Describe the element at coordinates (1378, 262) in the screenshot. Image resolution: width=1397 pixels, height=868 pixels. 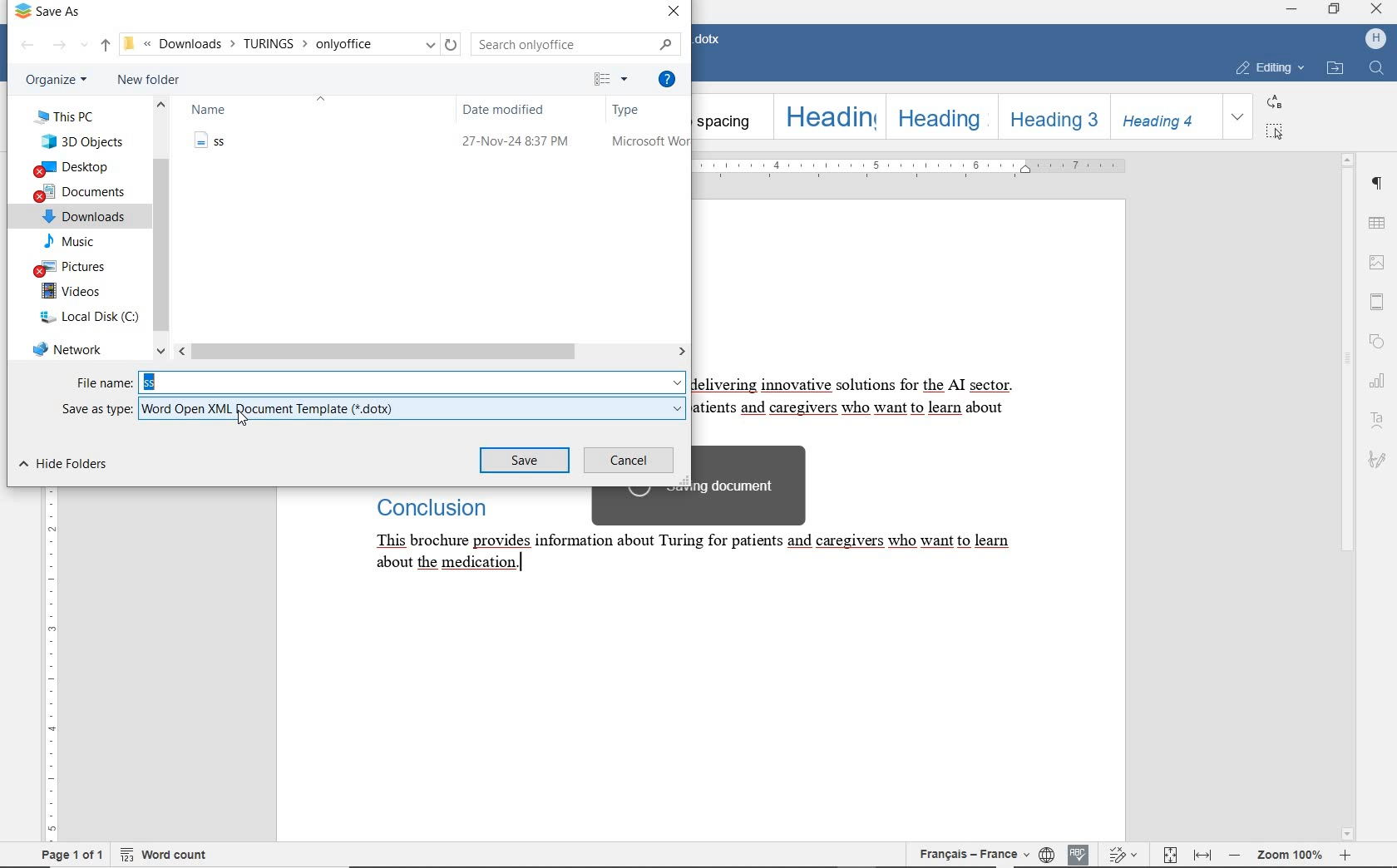
I see `IMAGE` at that location.